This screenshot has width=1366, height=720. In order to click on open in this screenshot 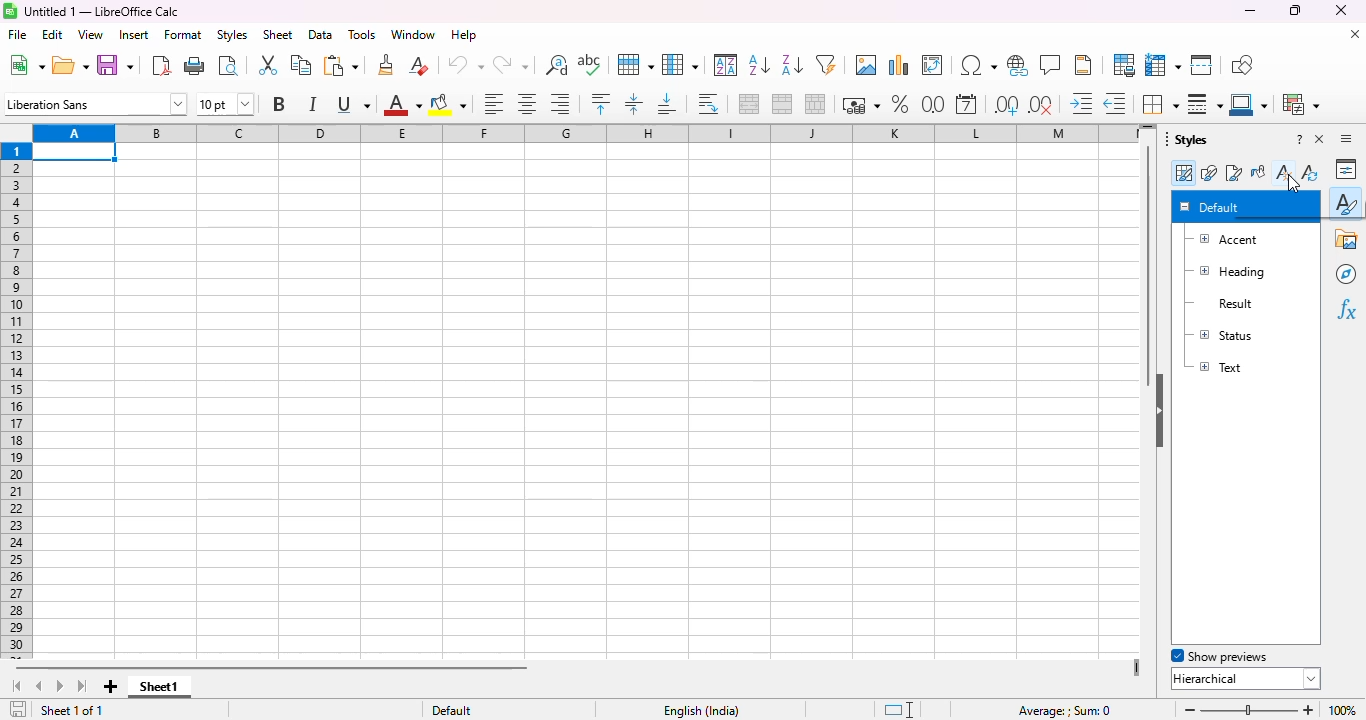, I will do `click(70, 65)`.